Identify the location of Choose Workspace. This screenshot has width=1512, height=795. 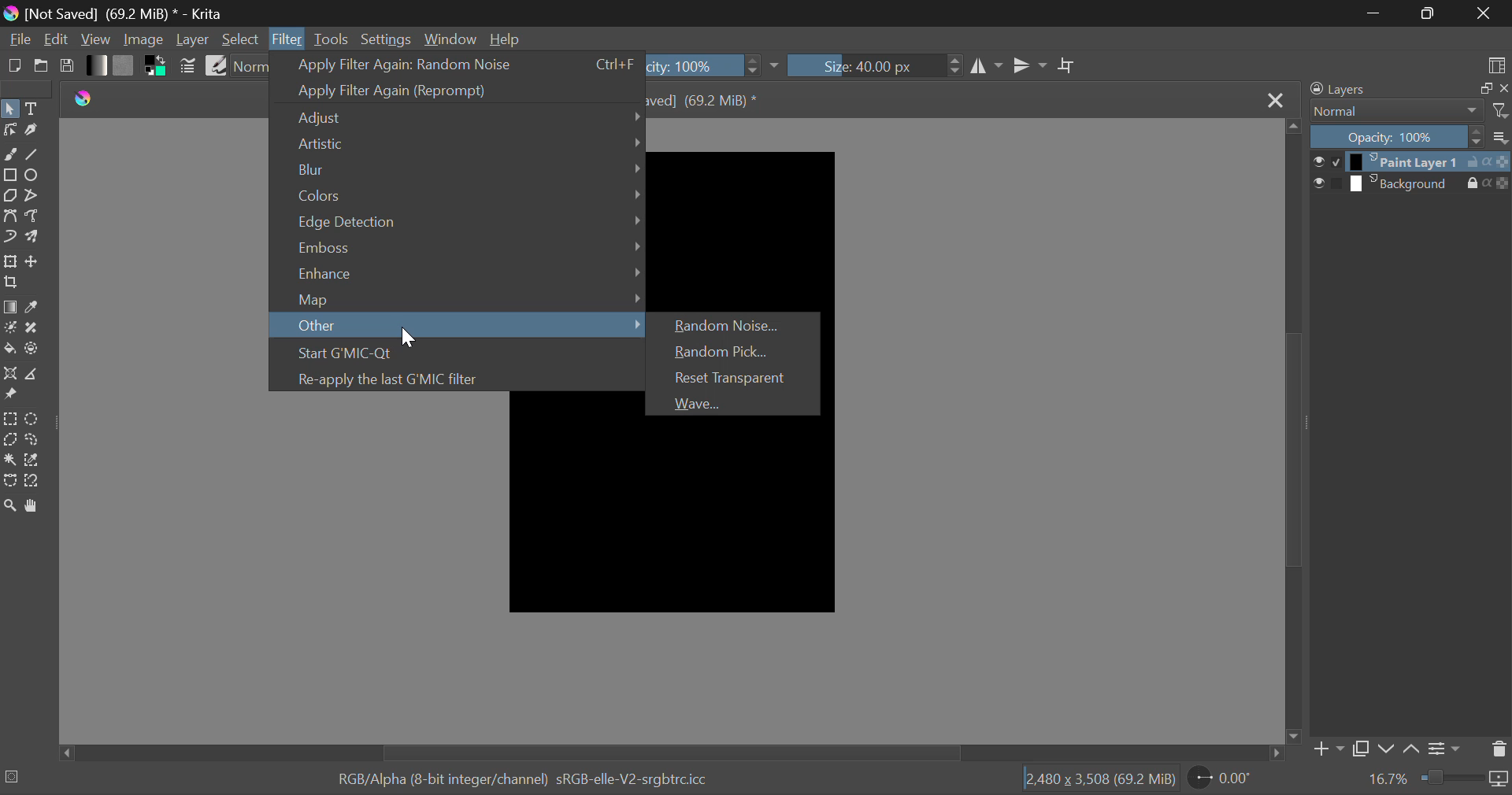
(1495, 64).